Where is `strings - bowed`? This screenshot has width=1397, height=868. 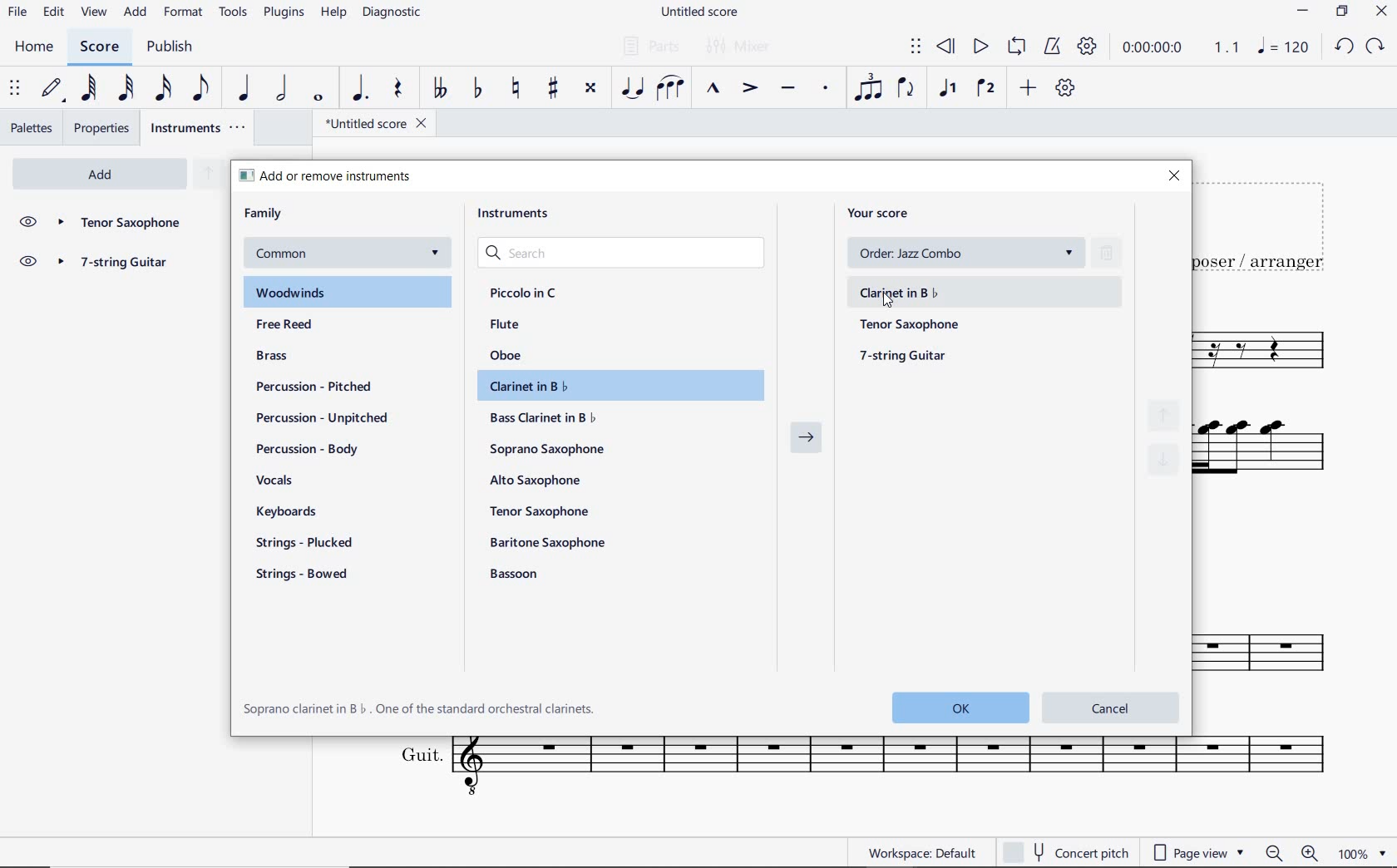
strings - bowed is located at coordinates (306, 576).